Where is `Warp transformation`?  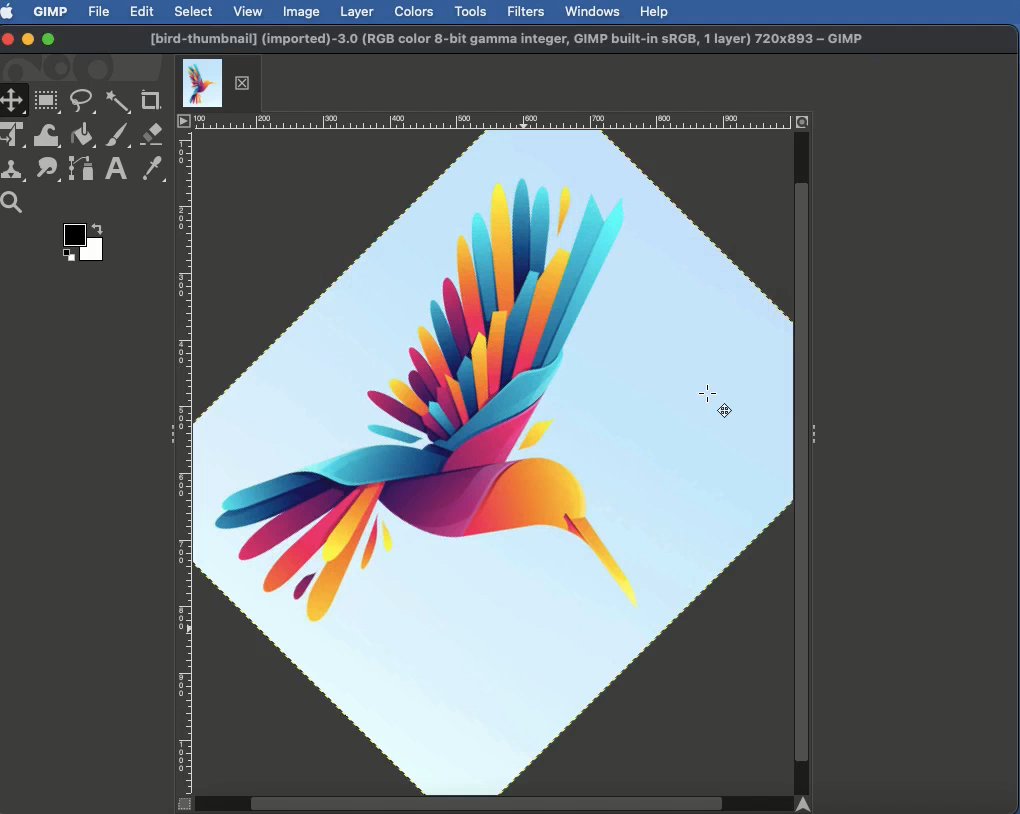
Warp transformation is located at coordinates (48, 135).